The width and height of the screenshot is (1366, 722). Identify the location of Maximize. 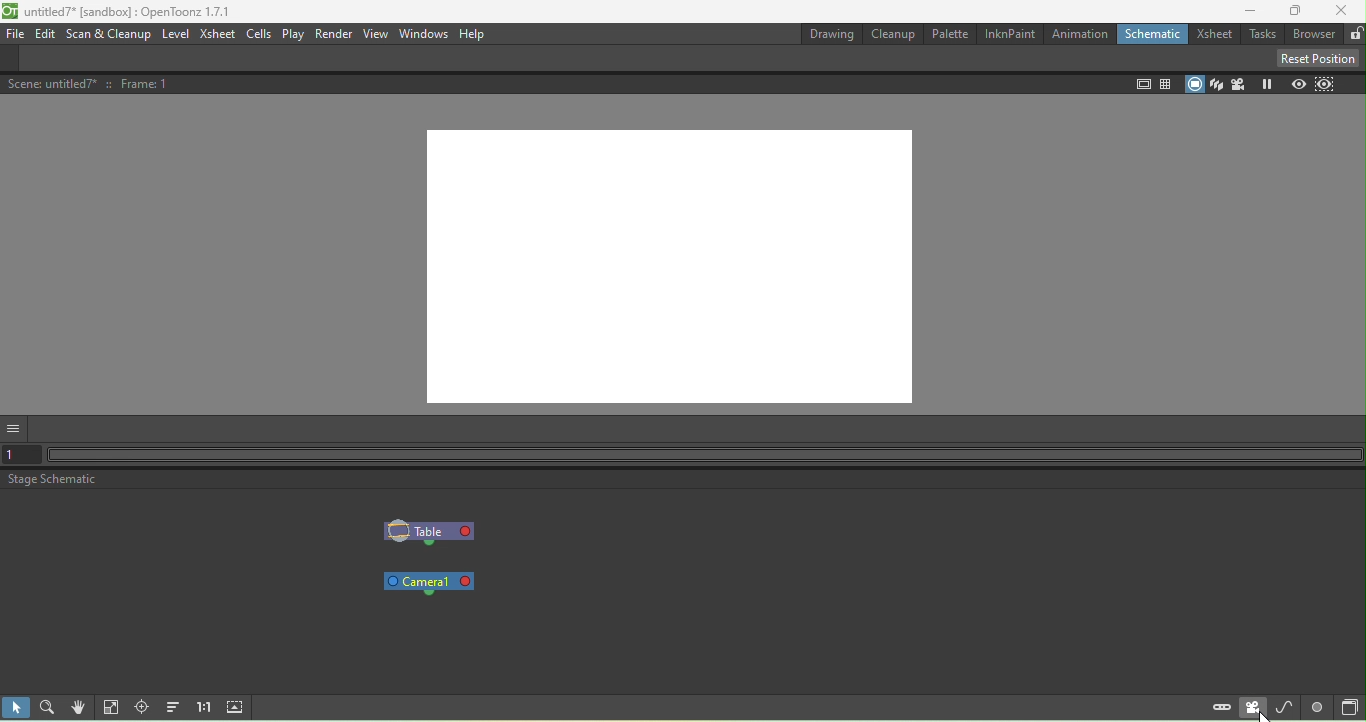
(1290, 12).